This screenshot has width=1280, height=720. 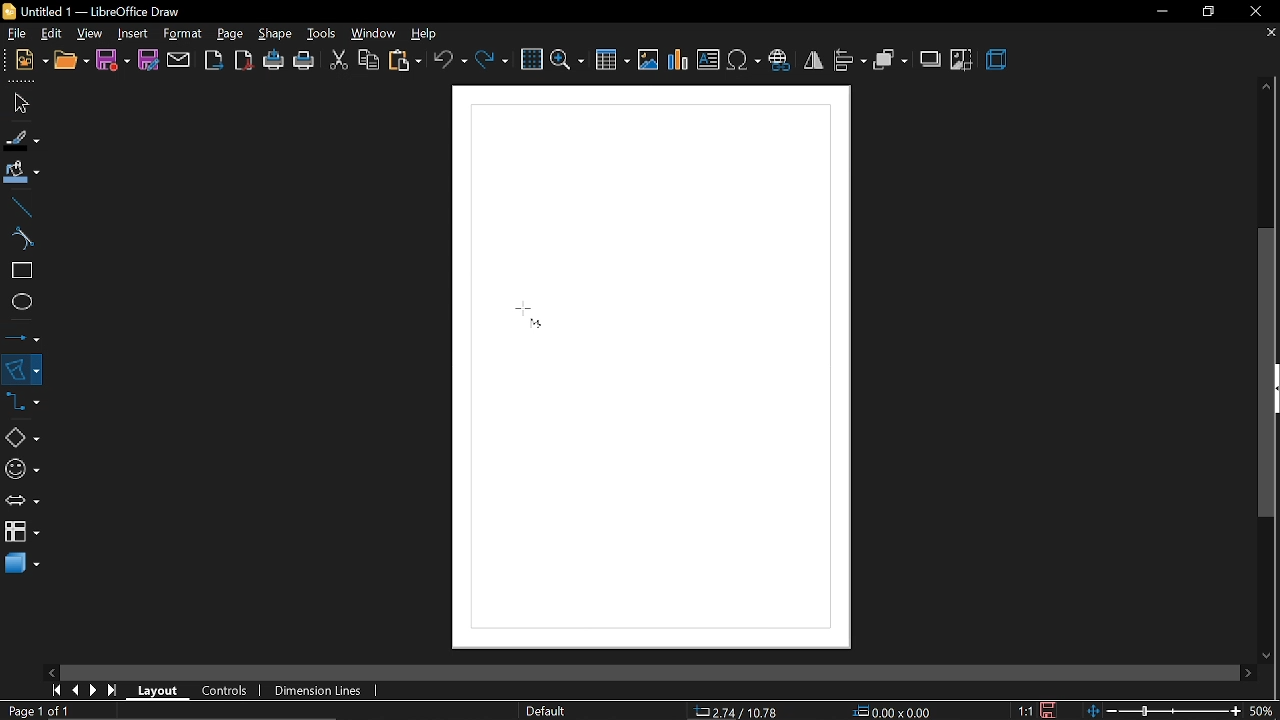 I want to click on align, so click(x=849, y=59).